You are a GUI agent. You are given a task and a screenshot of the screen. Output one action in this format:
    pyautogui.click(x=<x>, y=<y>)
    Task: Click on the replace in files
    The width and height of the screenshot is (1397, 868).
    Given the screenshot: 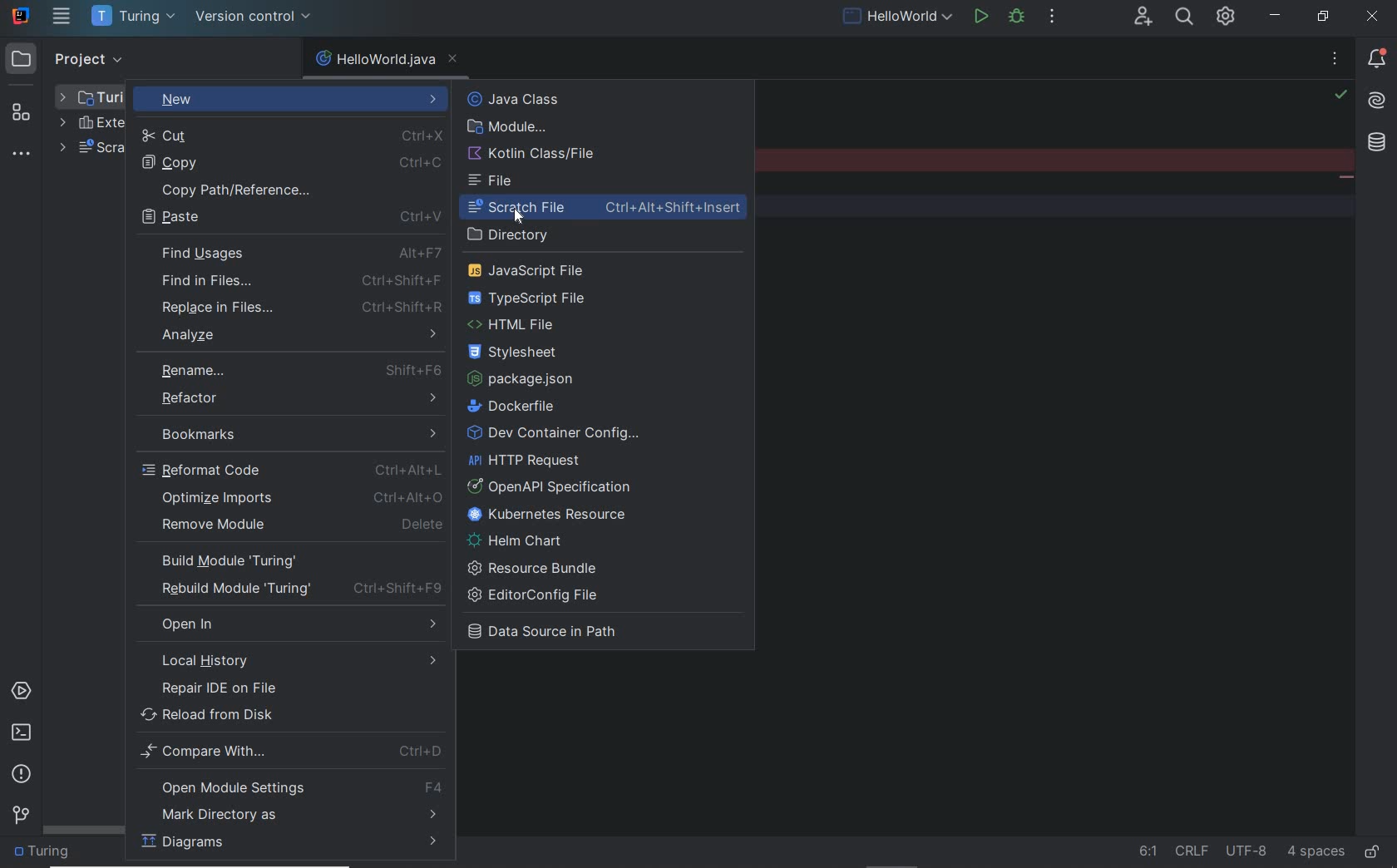 What is the action you would take?
    pyautogui.click(x=299, y=308)
    